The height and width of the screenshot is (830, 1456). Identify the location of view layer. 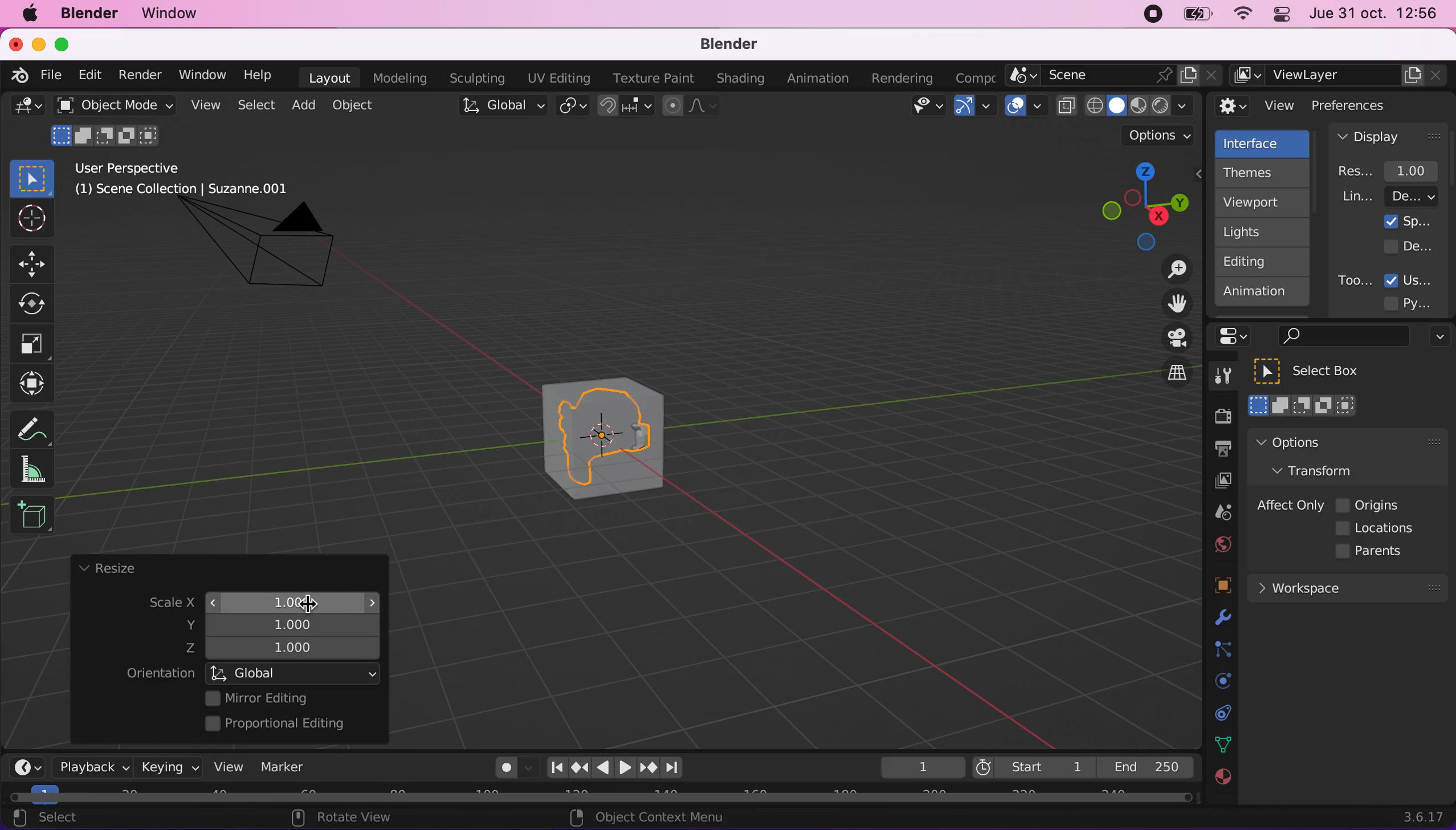
(1340, 76).